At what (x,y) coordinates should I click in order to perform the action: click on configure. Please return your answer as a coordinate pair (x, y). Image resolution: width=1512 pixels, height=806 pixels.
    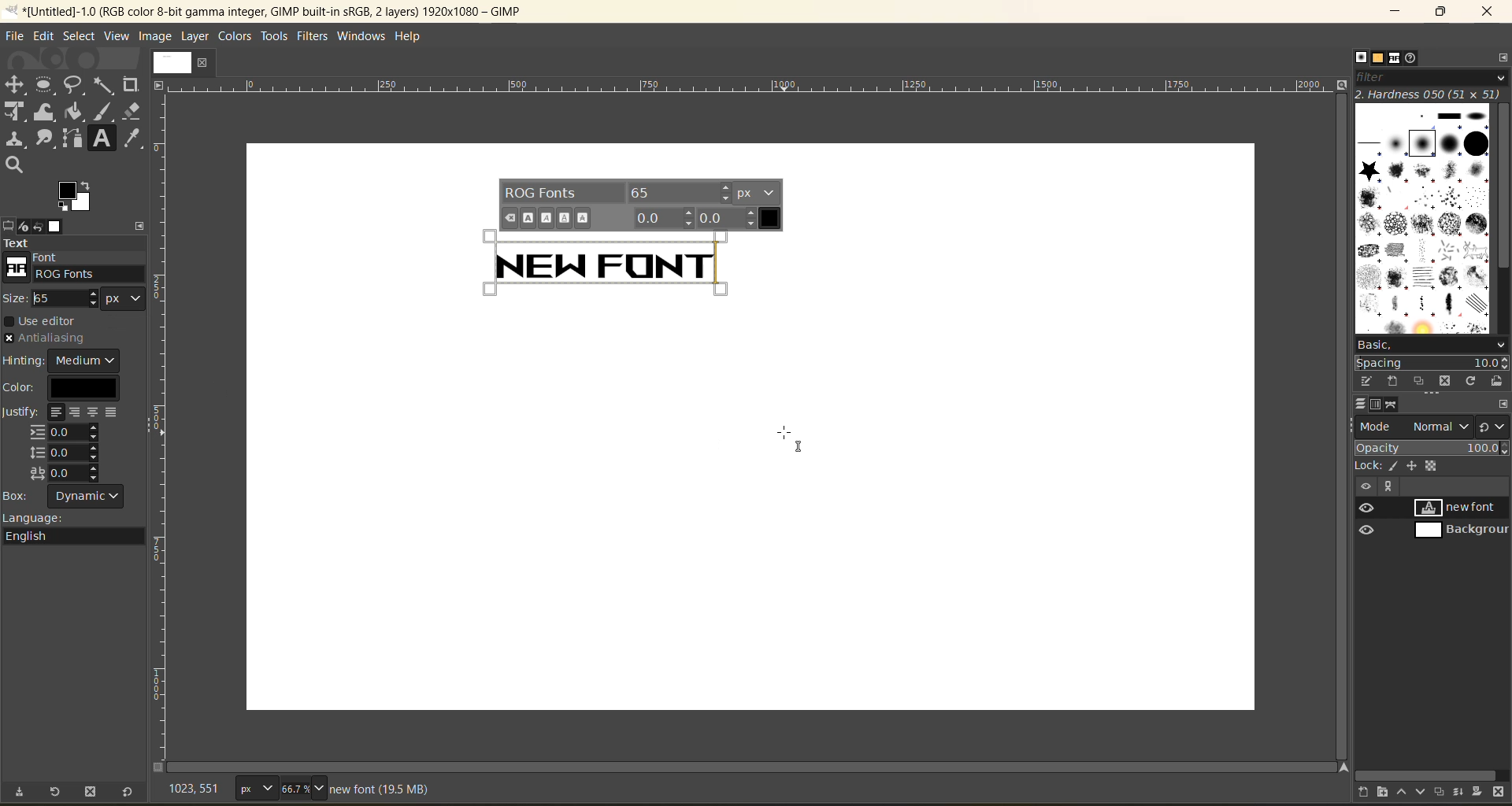
    Looking at the image, I should click on (143, 225).